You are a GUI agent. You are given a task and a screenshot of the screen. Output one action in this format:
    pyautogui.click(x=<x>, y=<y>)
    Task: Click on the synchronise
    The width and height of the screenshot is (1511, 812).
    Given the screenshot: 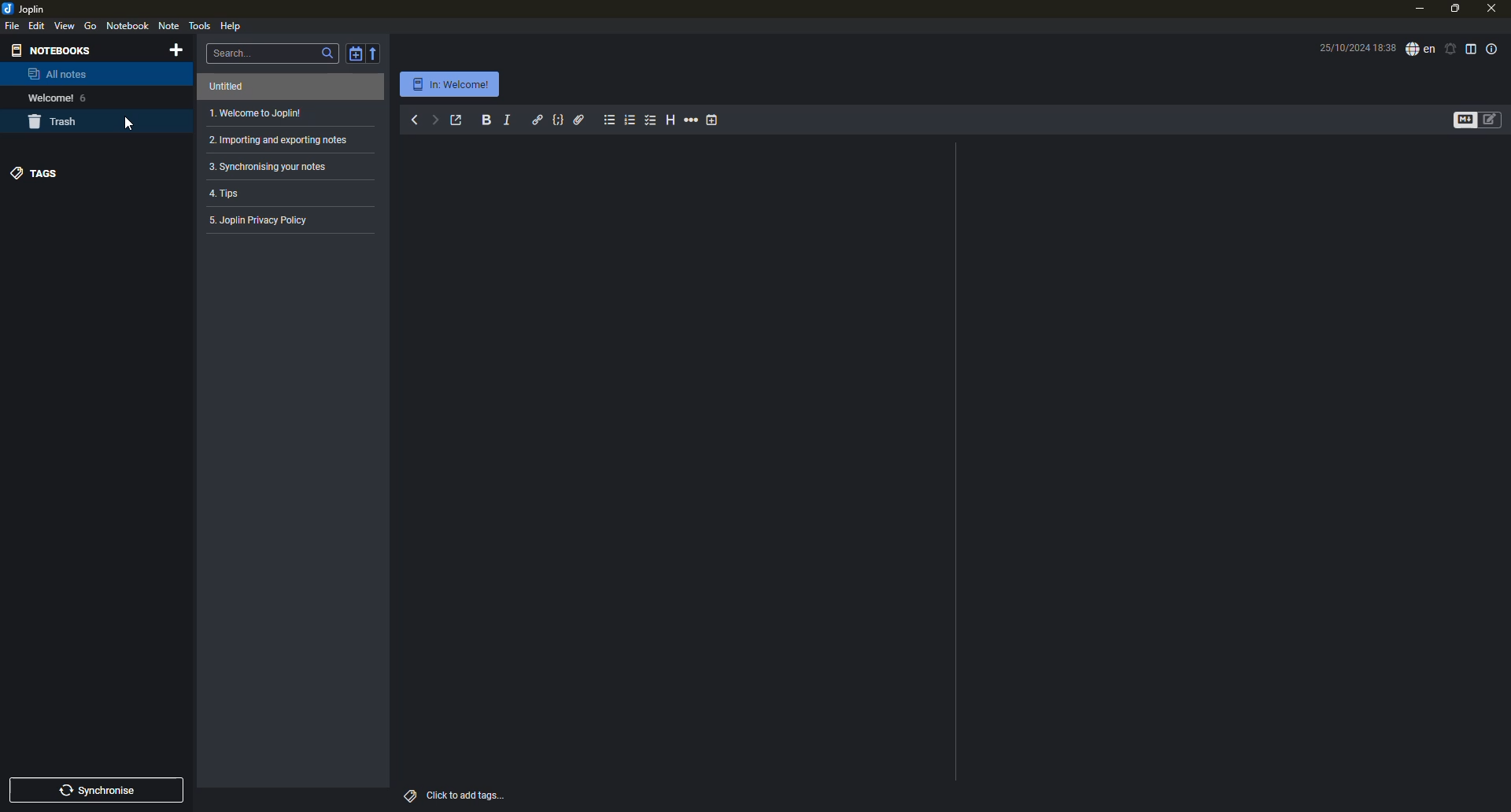 What is the action you would take?
    pyautogui.click(x=102, y=791)
    